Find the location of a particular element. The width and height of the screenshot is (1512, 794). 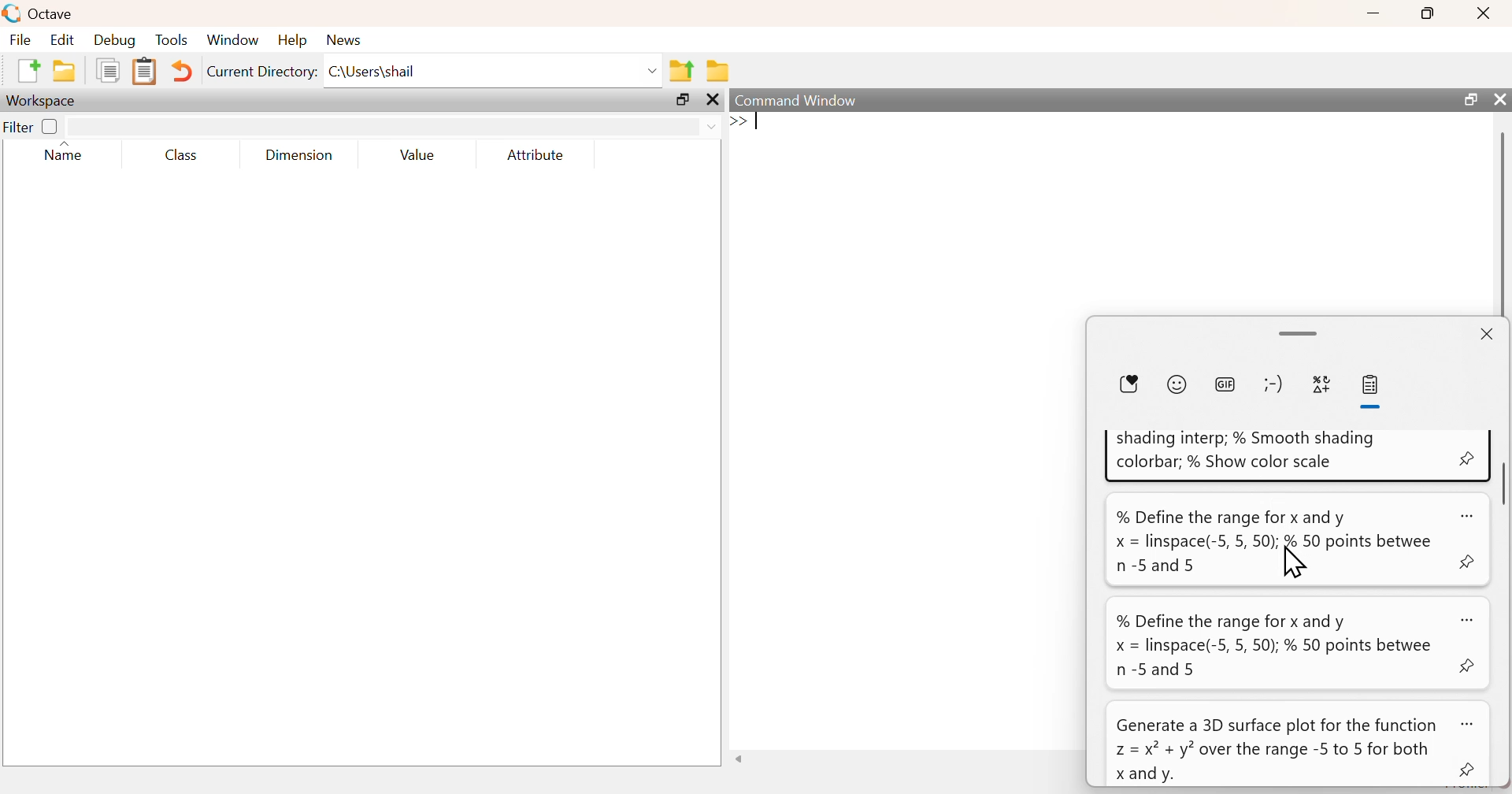

% Define the range for x and y
x = linspace(-5, 5, 50); % 50 points betwee
n-5and 5 is located at coordinates (1273, 646).